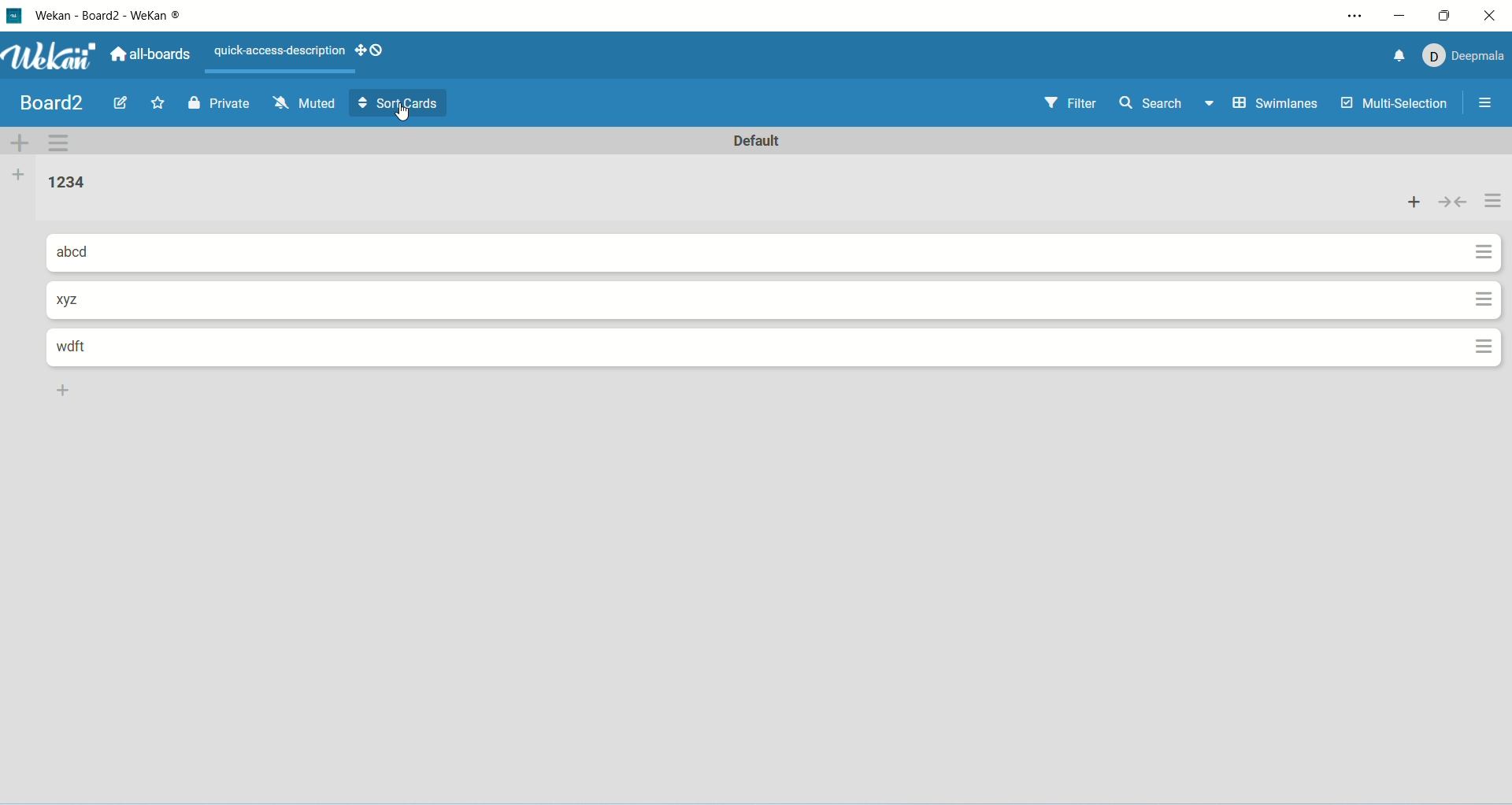  What do you see at coordinates (60, 145) in the screenshot?
I see `swimlane actions` at bounding box center [60, 145].